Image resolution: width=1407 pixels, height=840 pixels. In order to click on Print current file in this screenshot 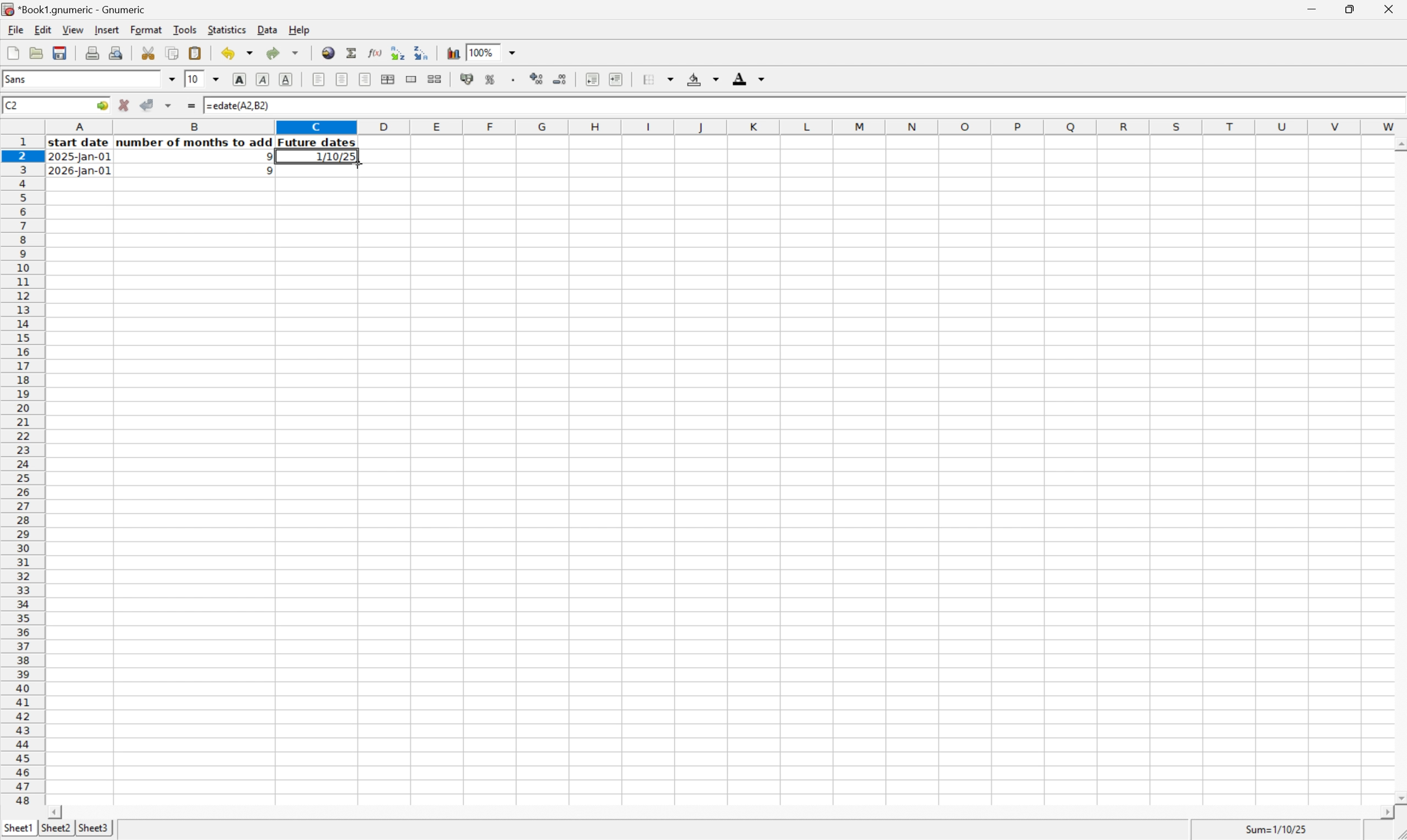, I will do `click(94, 53)`.